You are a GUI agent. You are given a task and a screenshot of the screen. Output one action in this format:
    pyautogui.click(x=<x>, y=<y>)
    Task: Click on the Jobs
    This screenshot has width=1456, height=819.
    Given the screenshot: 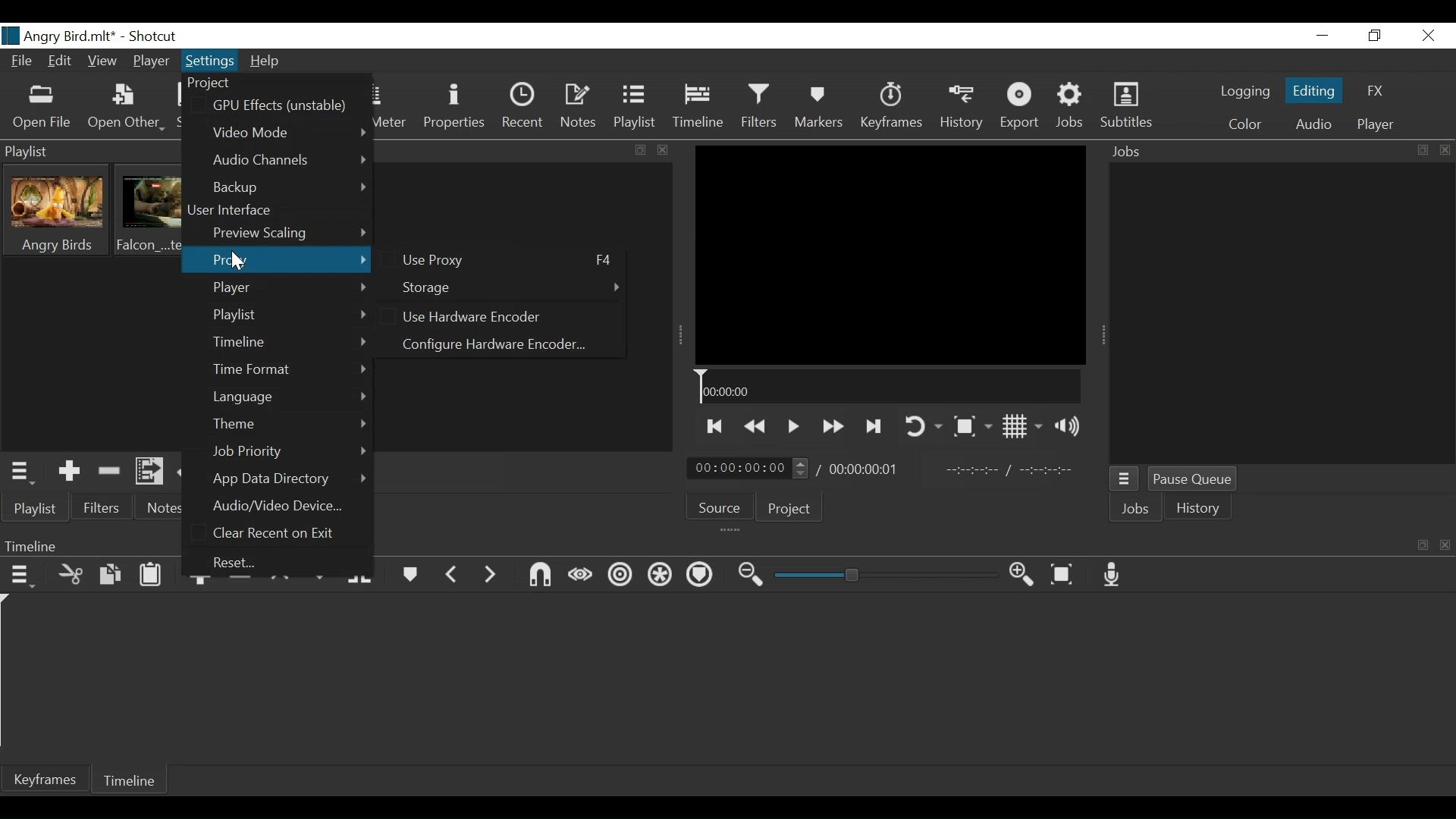 What is the action you would take?
    pyautogui.click(x=1072, y=106)
    